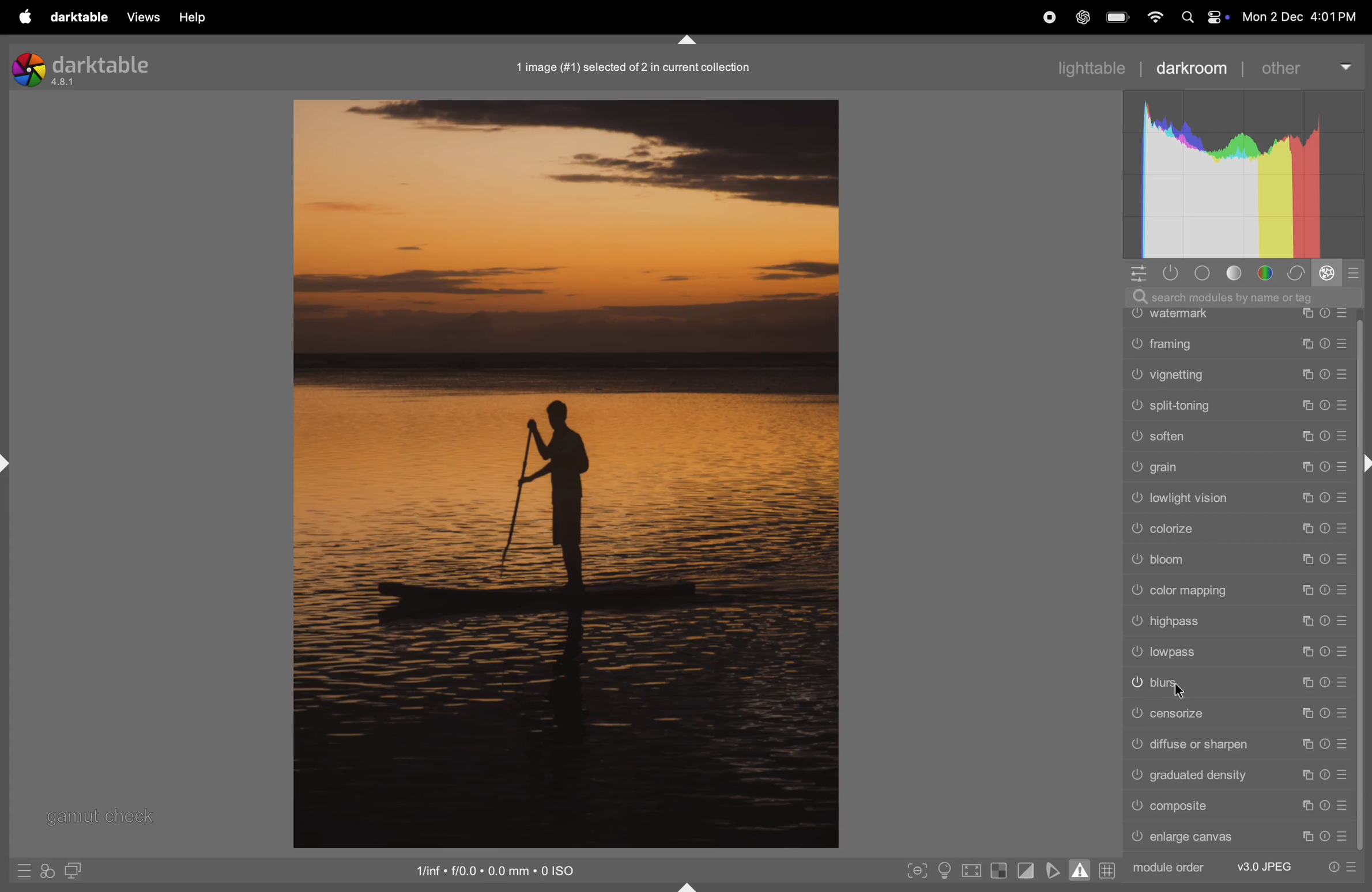  I want to click on correct, so click(1299, 273).